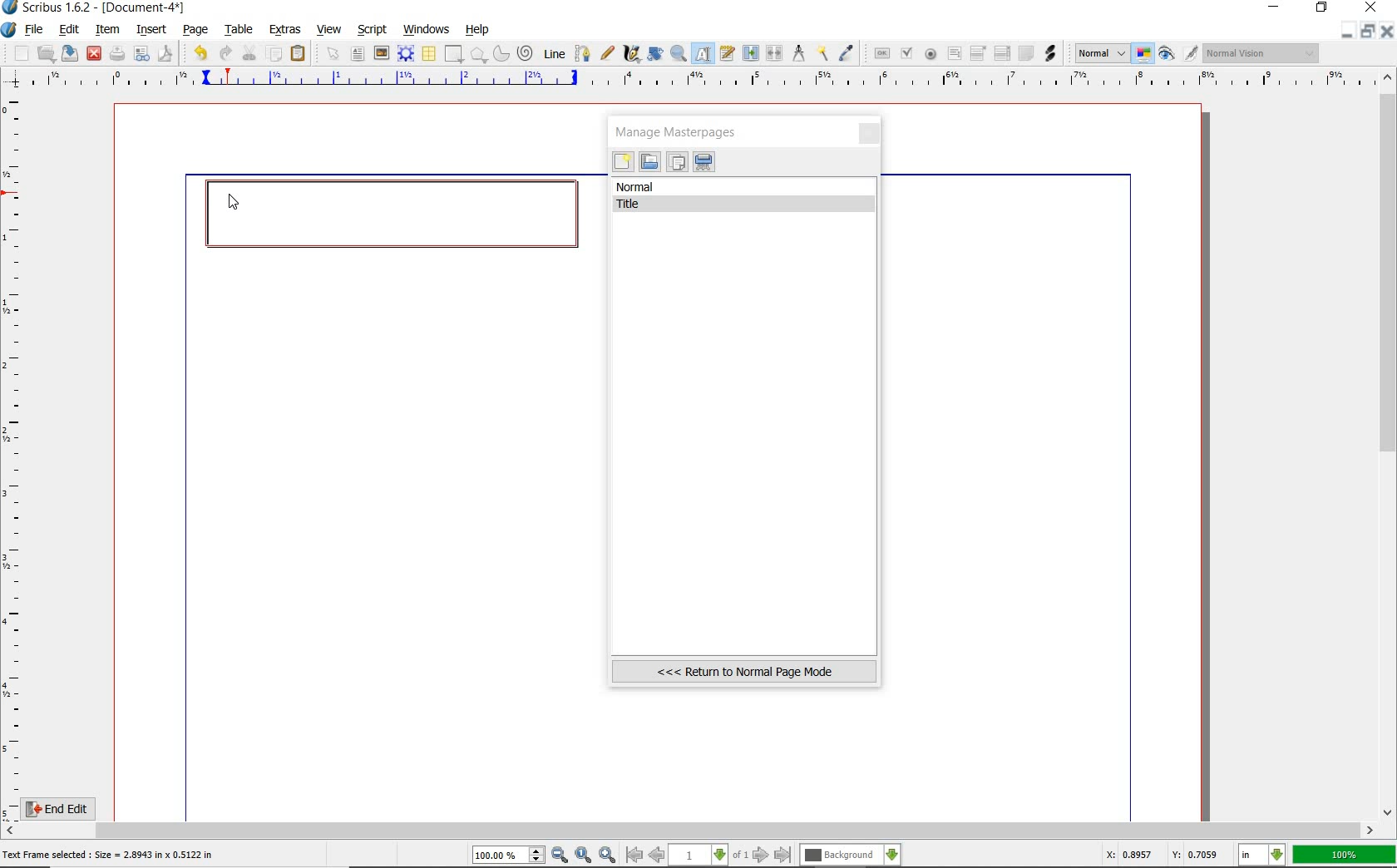  What do you see at coordinates (249, 52) in the screenshot?
I see `cut` at bounding box center [249, 52].